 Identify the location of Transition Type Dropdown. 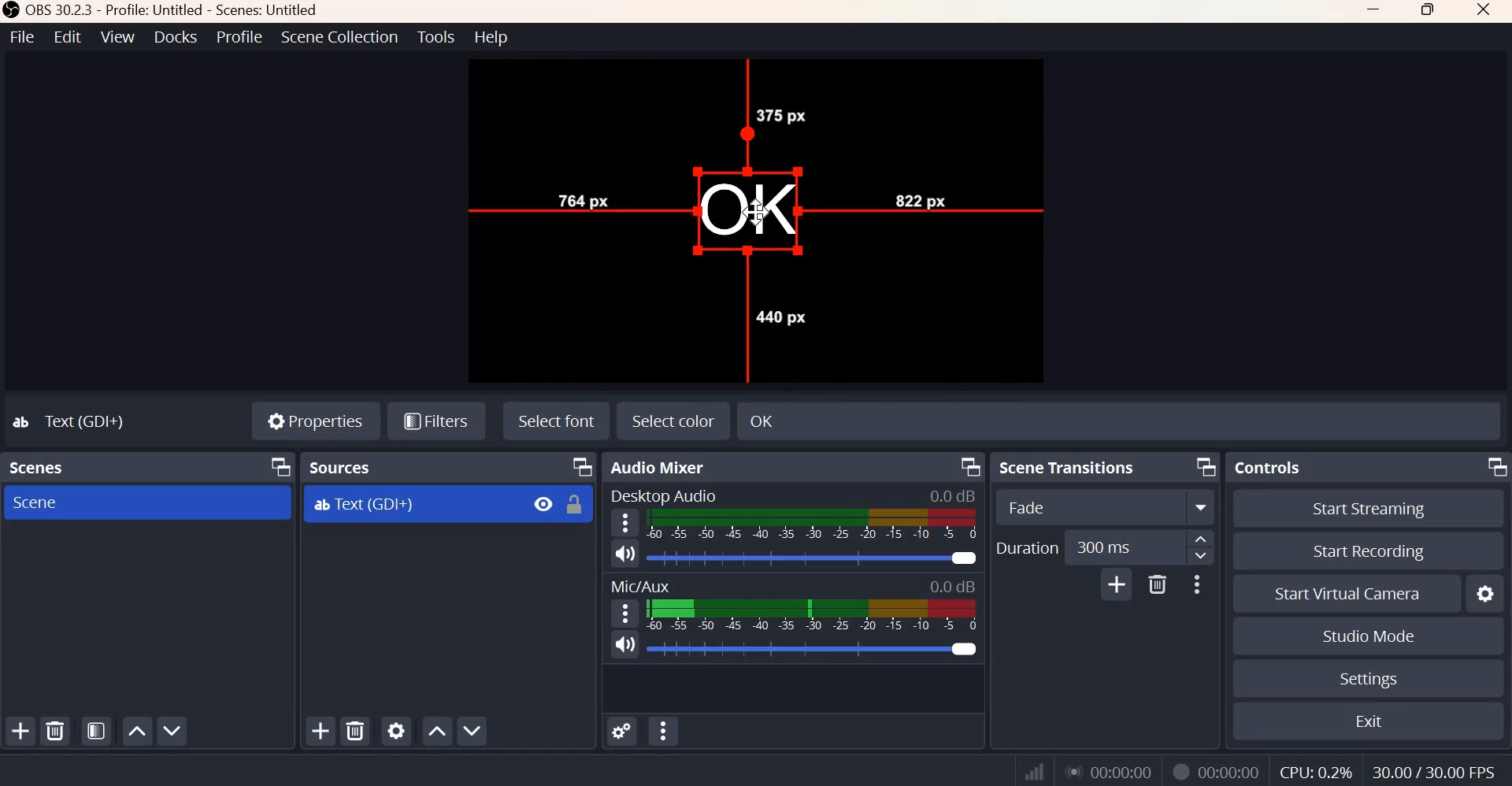
(1106, 506).